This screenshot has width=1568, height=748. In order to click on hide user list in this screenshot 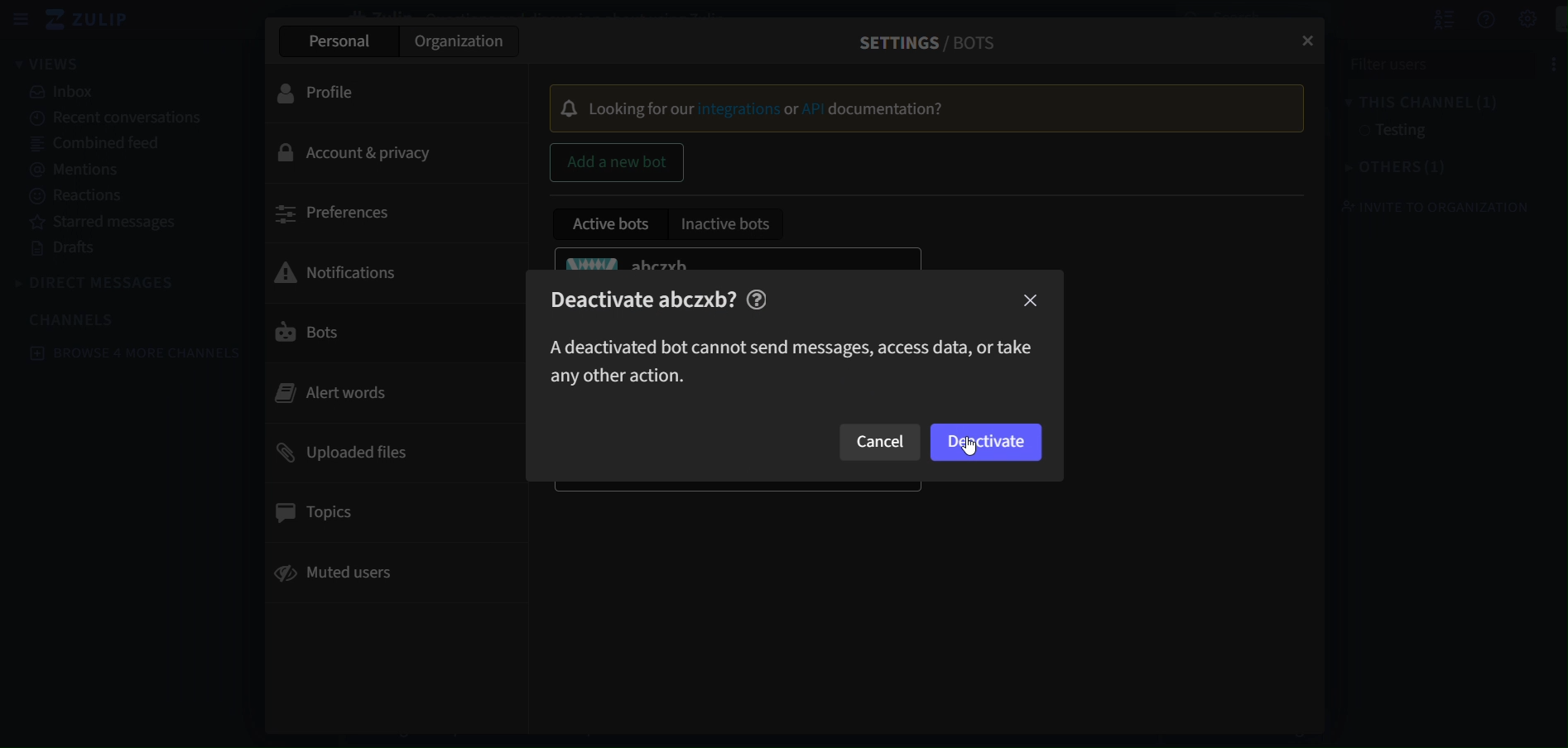, I will do `click(1426, 19)`.